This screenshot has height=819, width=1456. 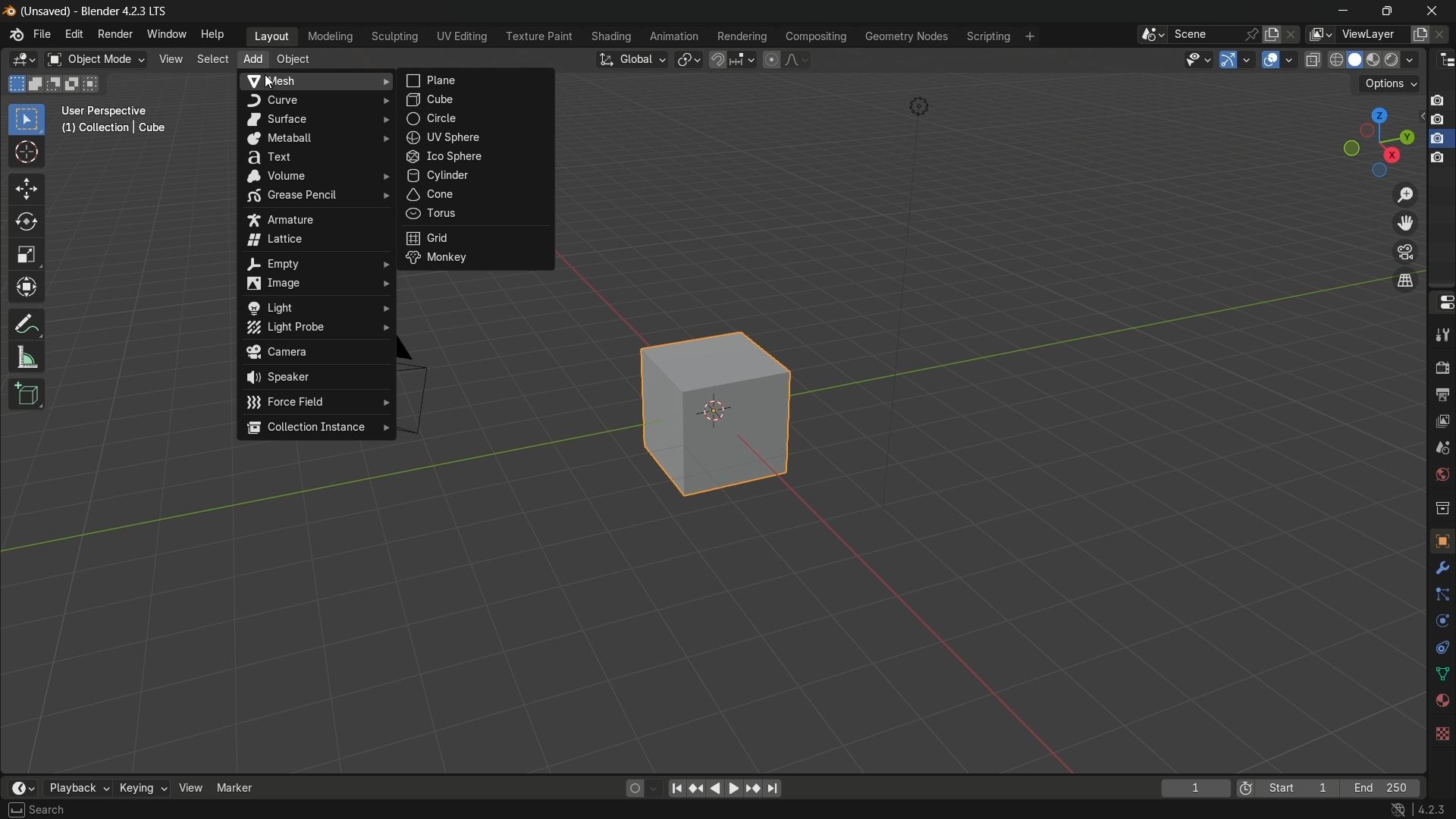 What do you see at coordinates (1030, 36) in the screenshot?
I see `add workplace` at bounding box center [1030, 36].